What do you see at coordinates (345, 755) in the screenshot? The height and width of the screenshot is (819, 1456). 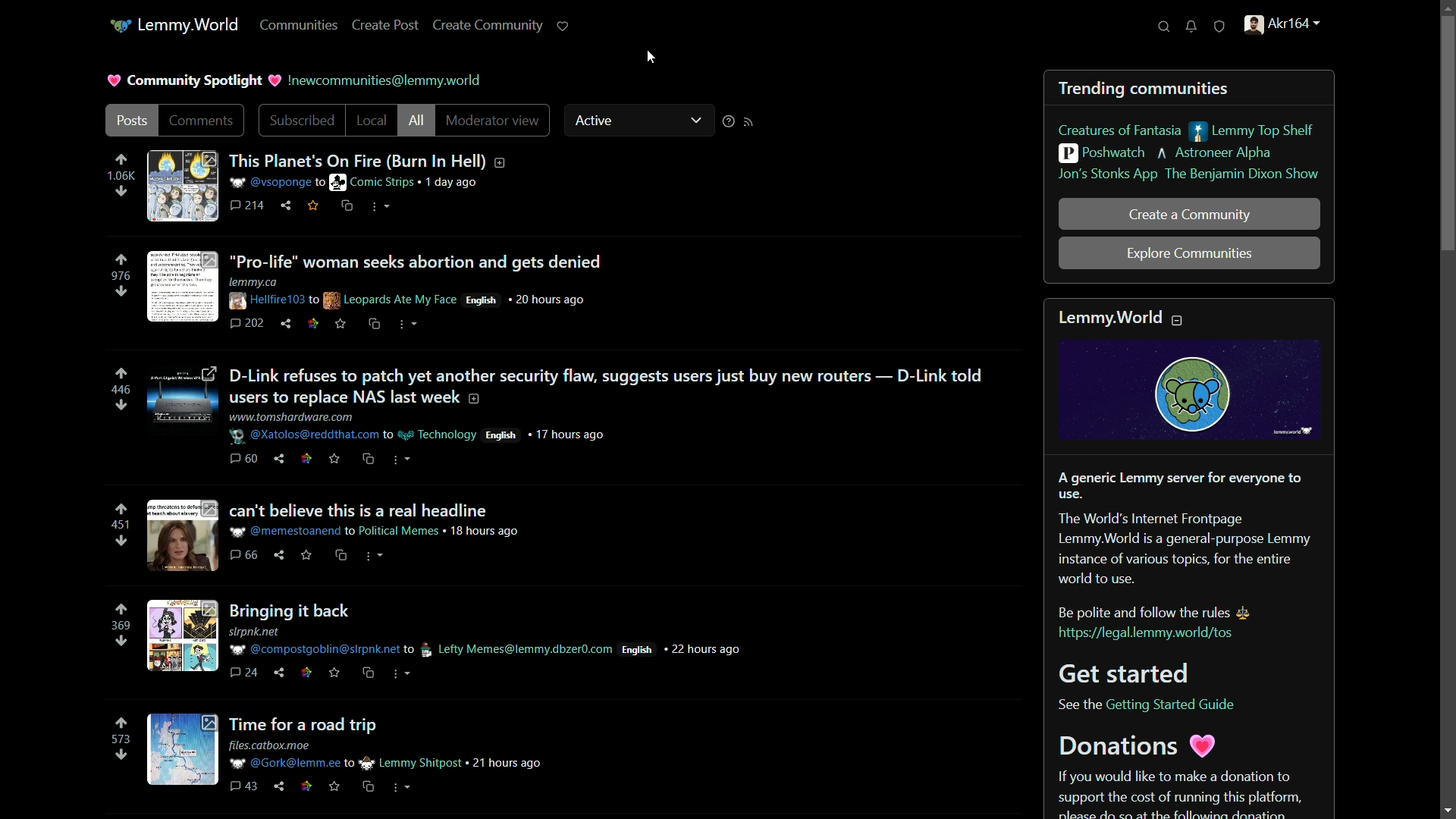 I see `post 6` at bounding box center [345, 755].